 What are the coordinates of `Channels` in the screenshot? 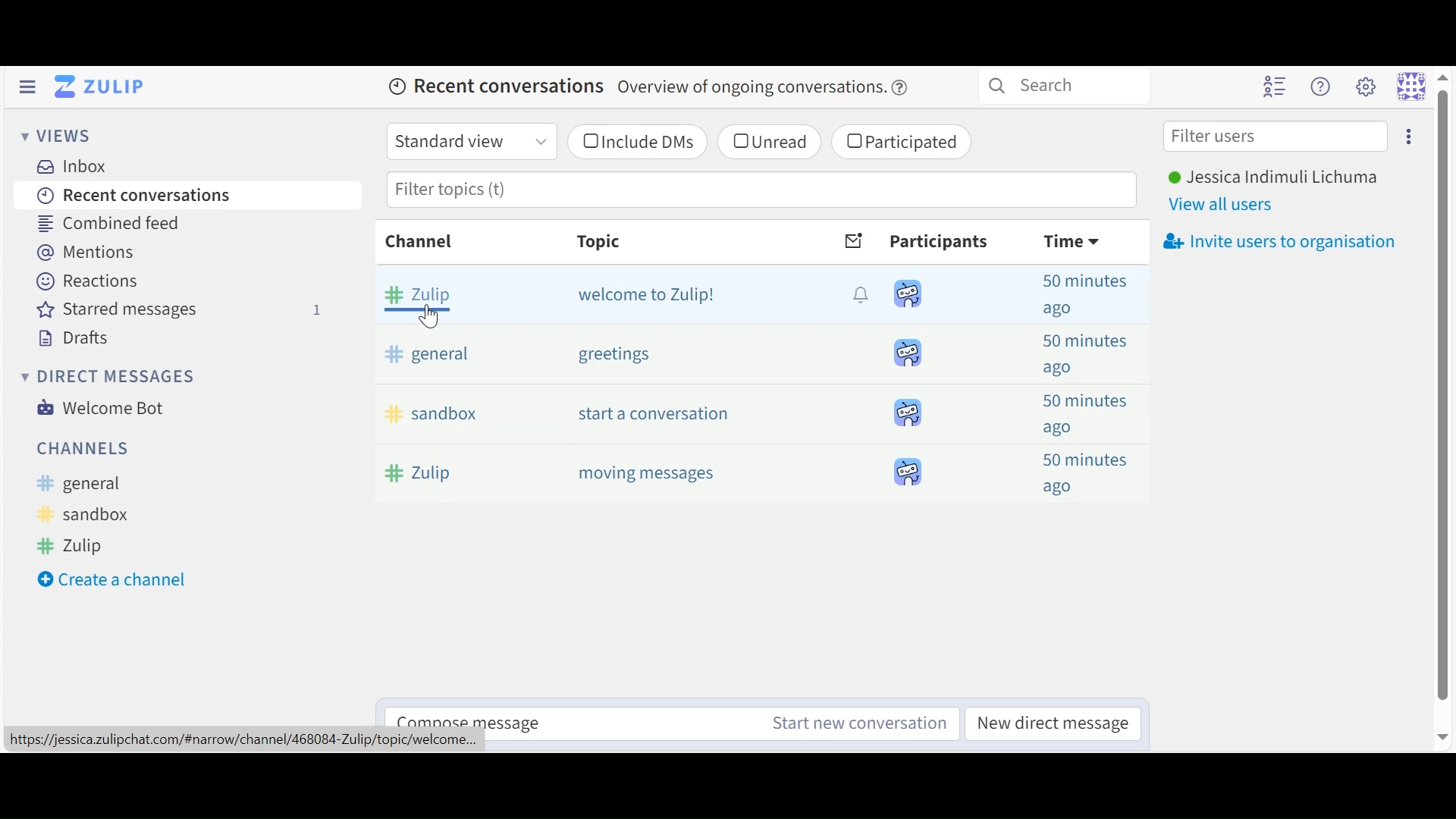 It's located at (80, 450).